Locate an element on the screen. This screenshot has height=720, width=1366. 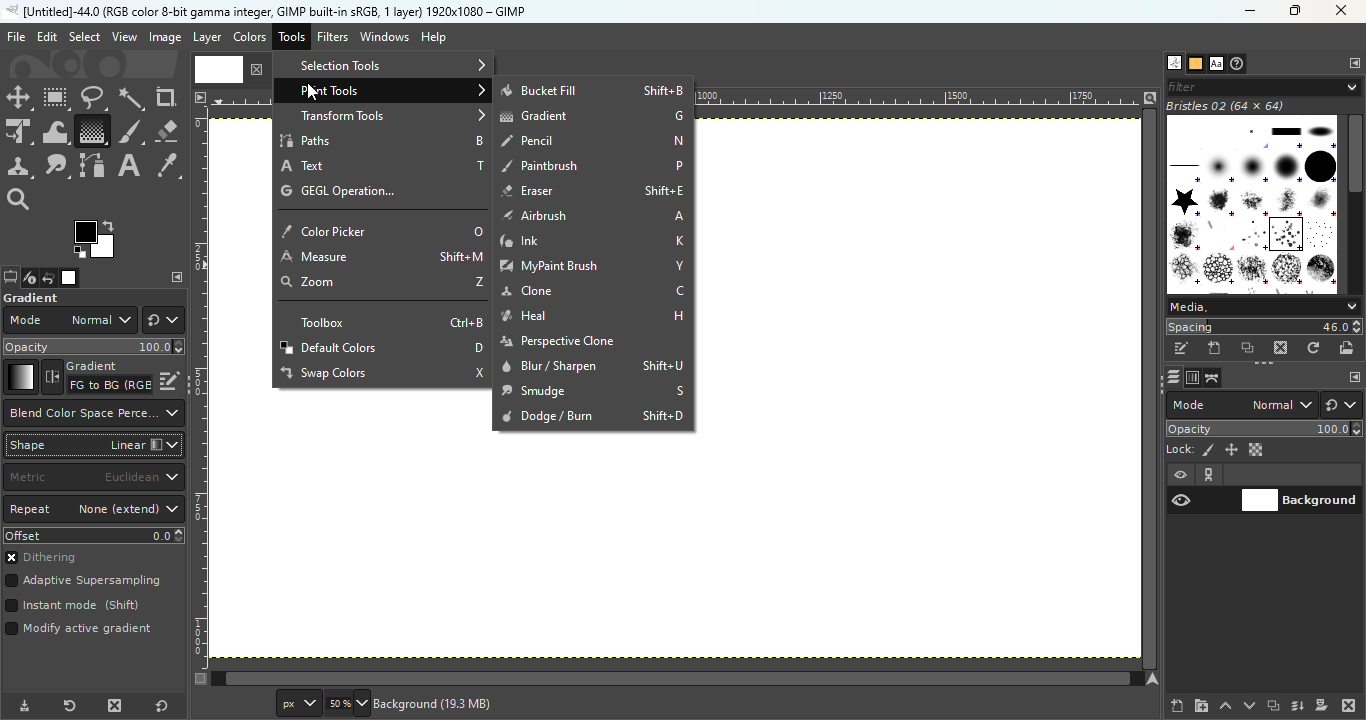
Free select tool is located at coordinates (92, 97).